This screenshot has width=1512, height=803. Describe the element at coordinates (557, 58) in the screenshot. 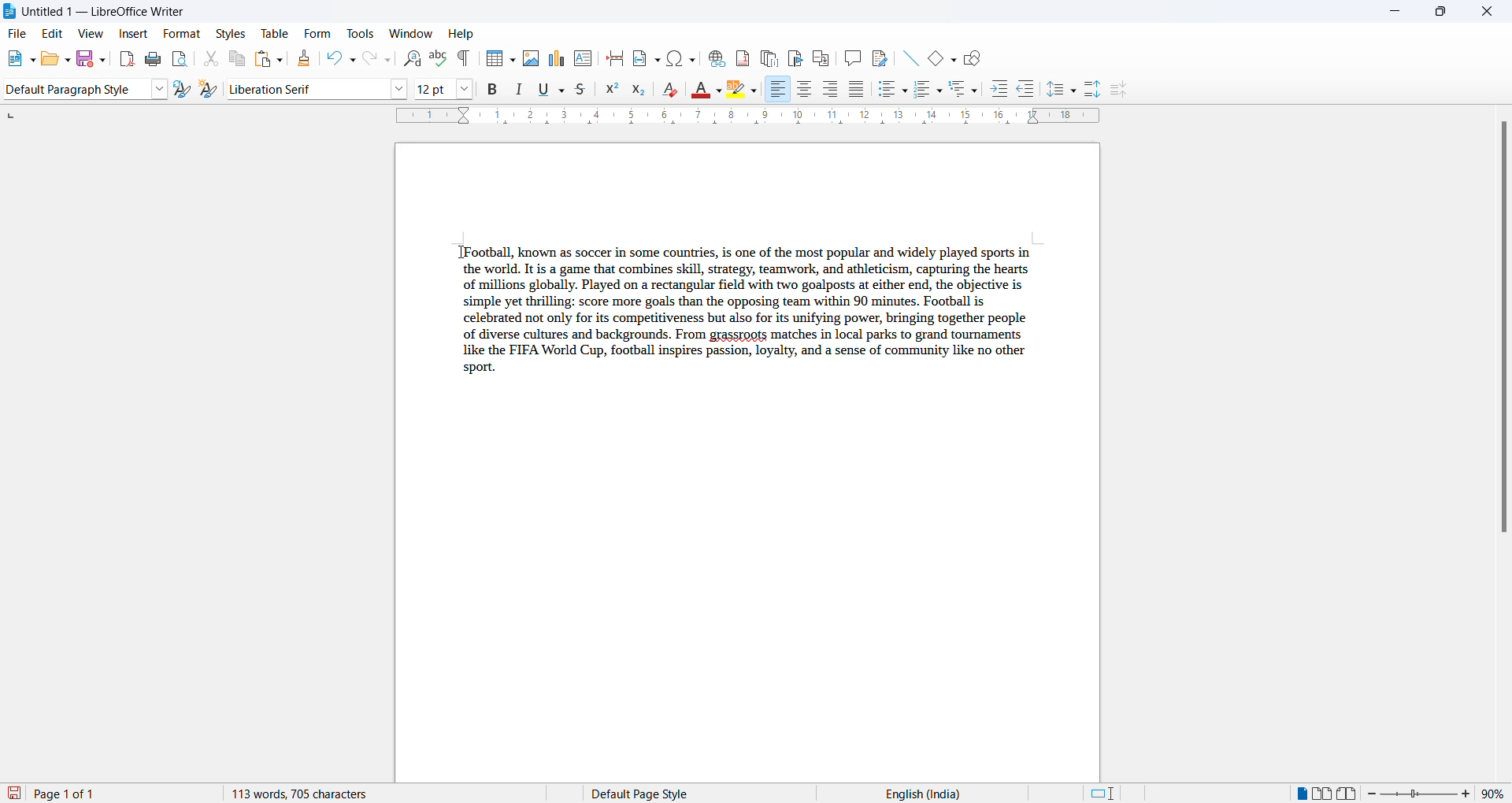

I see `insert charts` at that location.